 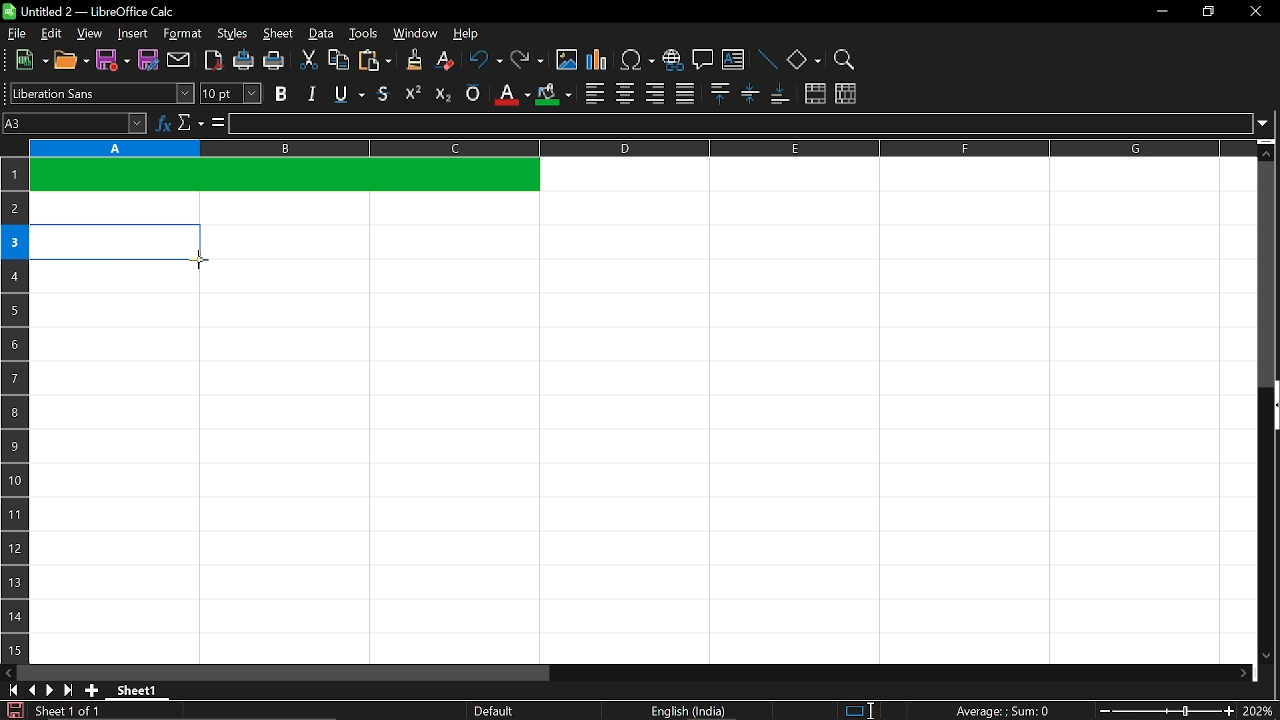 What do you see at coordinates (1162, 10) in the screenshot?
I see `minimize` at bounding box center [1162, 10].